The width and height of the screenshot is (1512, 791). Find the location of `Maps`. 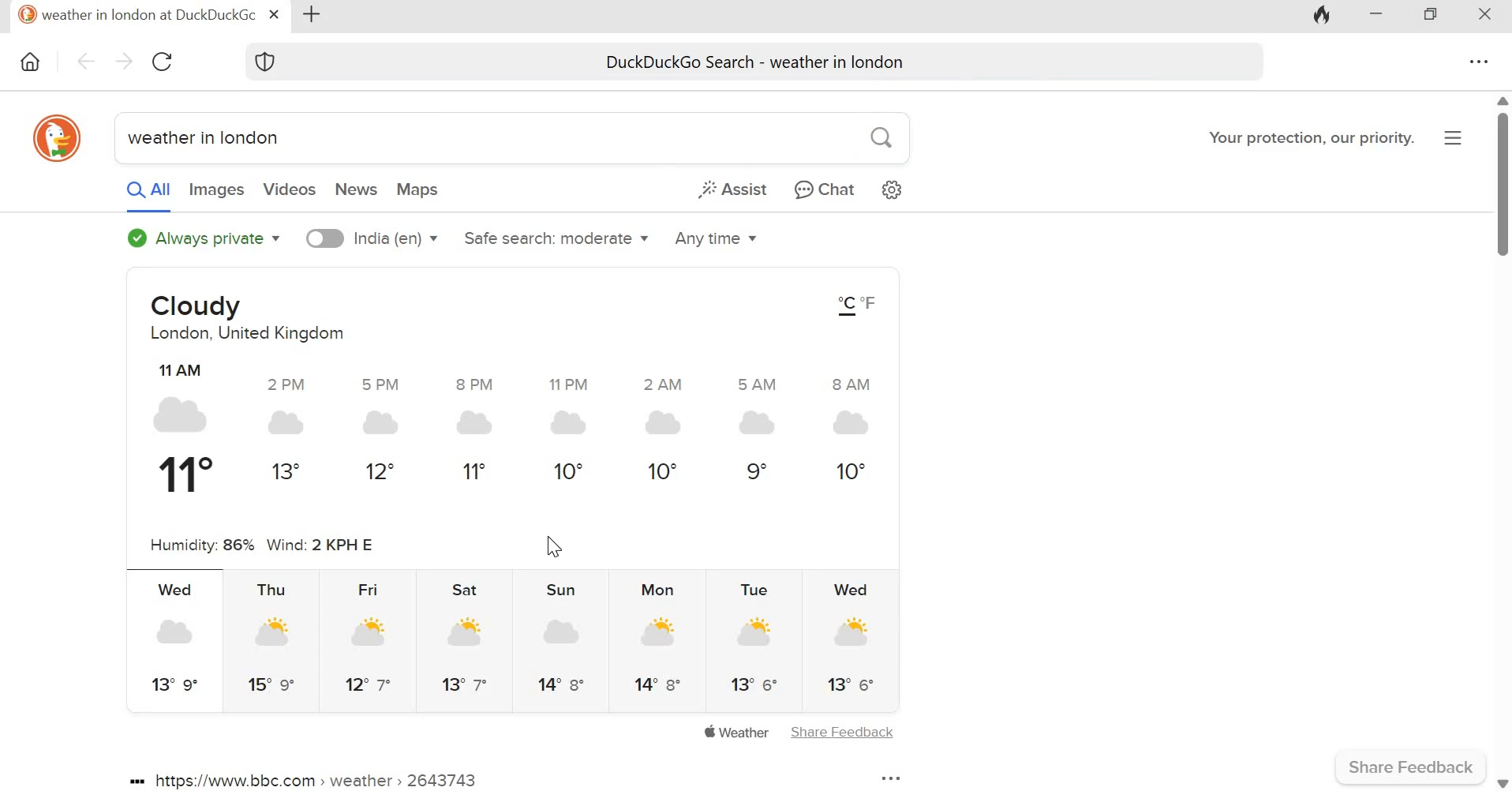

Maps is located at coordinates (417, 190).